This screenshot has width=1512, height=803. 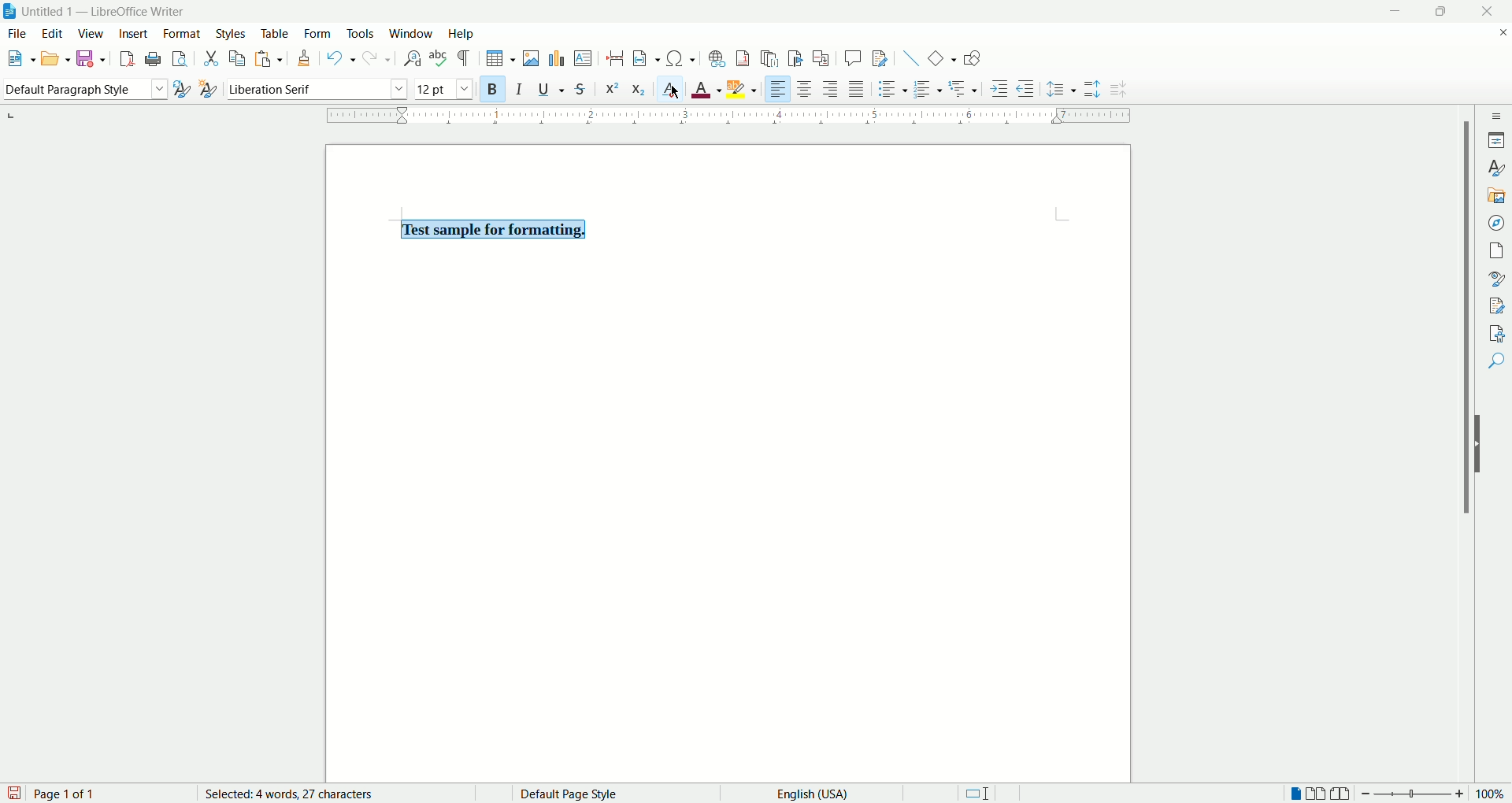 What do you see at coordinates (682, 58) in the screenshot?
I see `insert special character` at bounding box center [682, 58].